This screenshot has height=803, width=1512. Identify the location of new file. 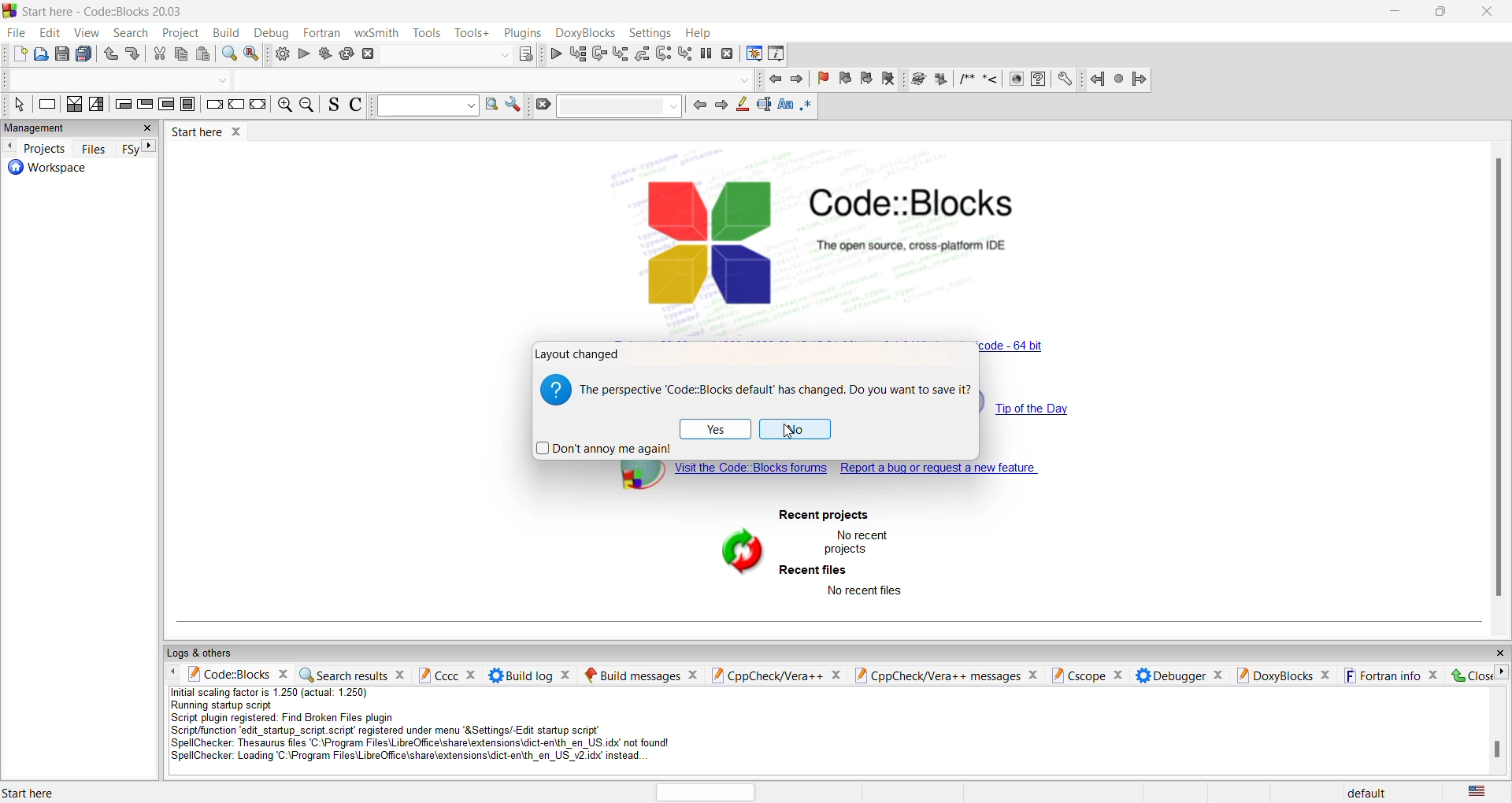
(18, 56).